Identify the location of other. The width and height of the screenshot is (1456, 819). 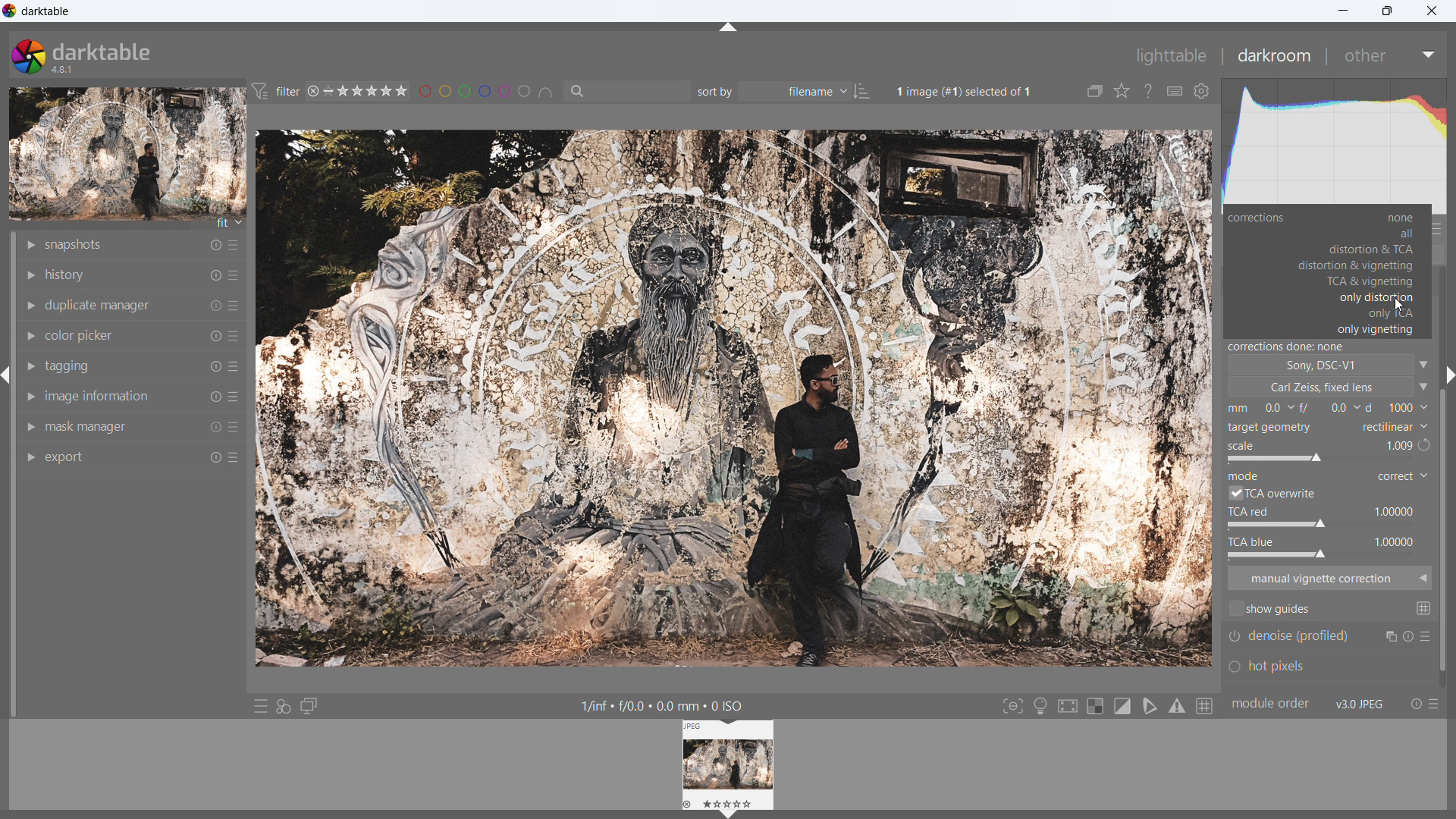
(1391, 55).